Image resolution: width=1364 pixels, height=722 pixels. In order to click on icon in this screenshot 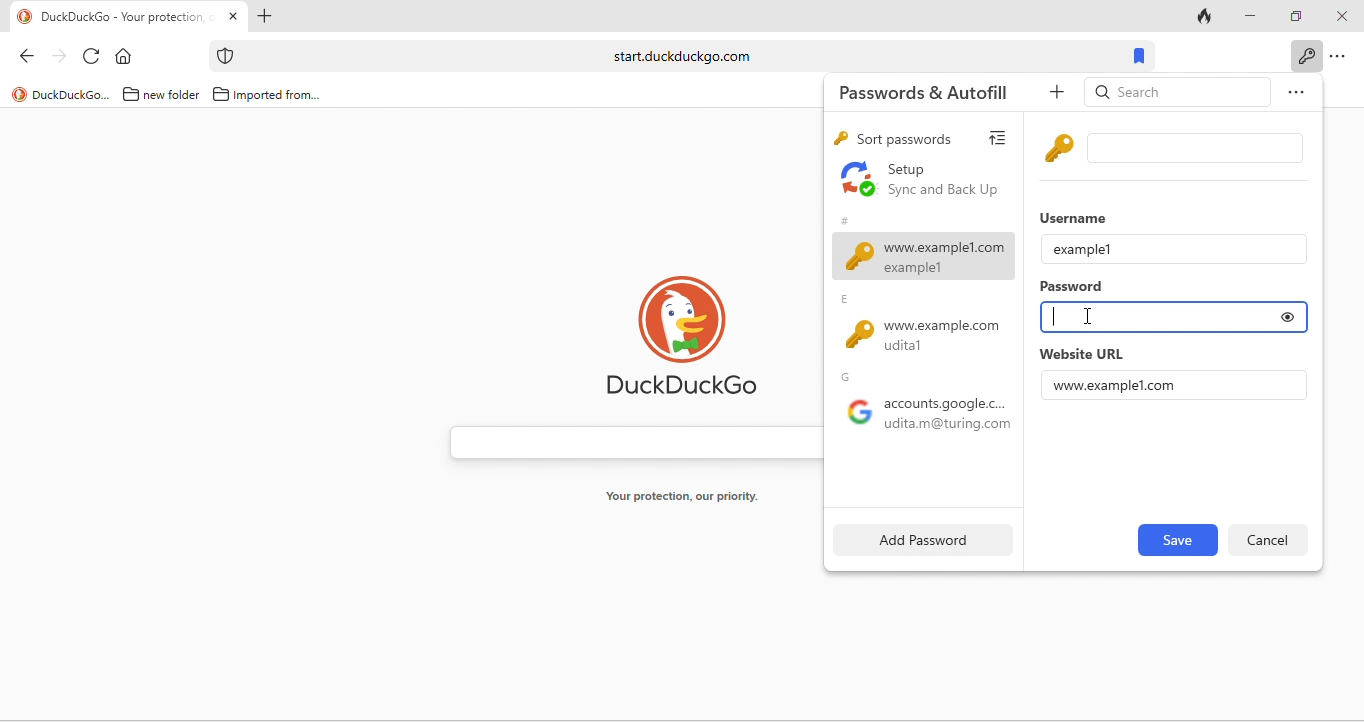, I will do `click(227, 56)`.